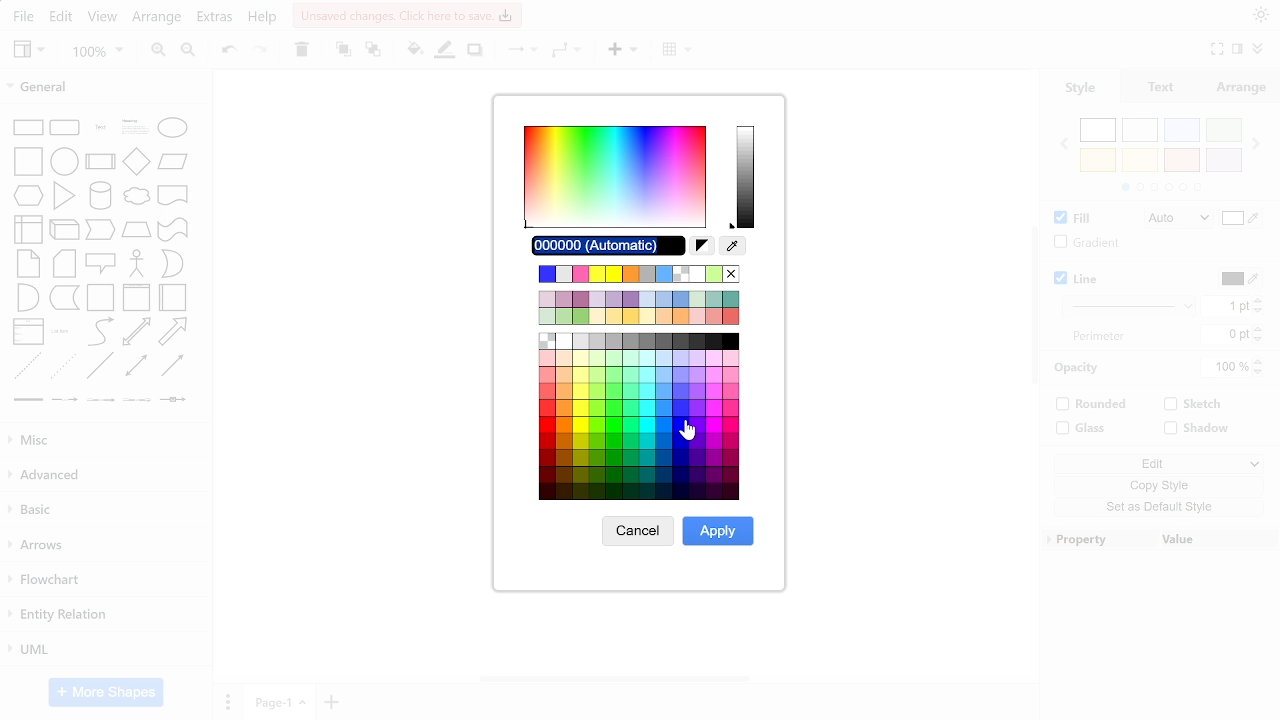 This screenshot has height=720, width=1280. I want to click on format, so click(1256, 51).